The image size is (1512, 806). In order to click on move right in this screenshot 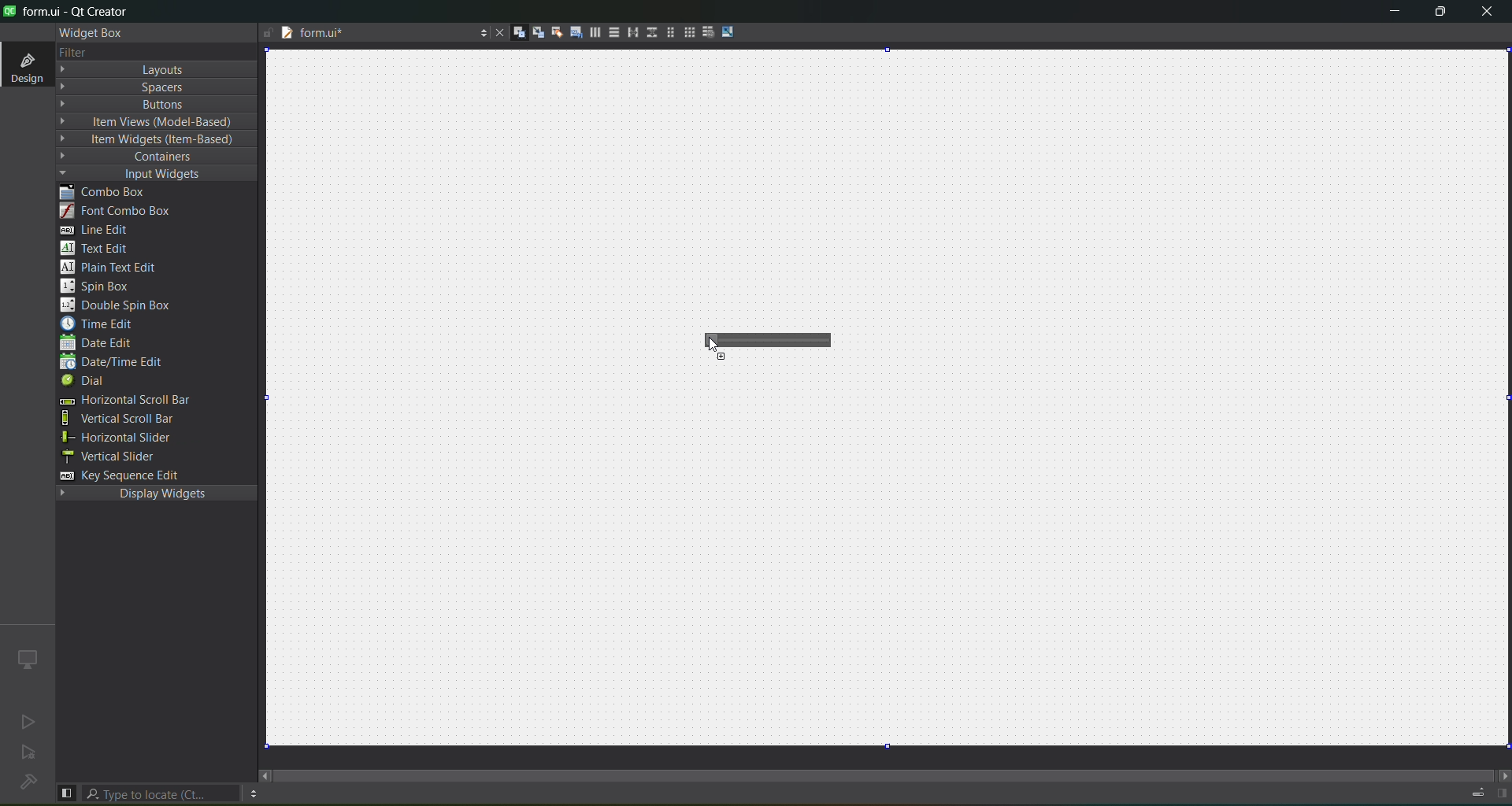, I will do `click(265, 775)`.